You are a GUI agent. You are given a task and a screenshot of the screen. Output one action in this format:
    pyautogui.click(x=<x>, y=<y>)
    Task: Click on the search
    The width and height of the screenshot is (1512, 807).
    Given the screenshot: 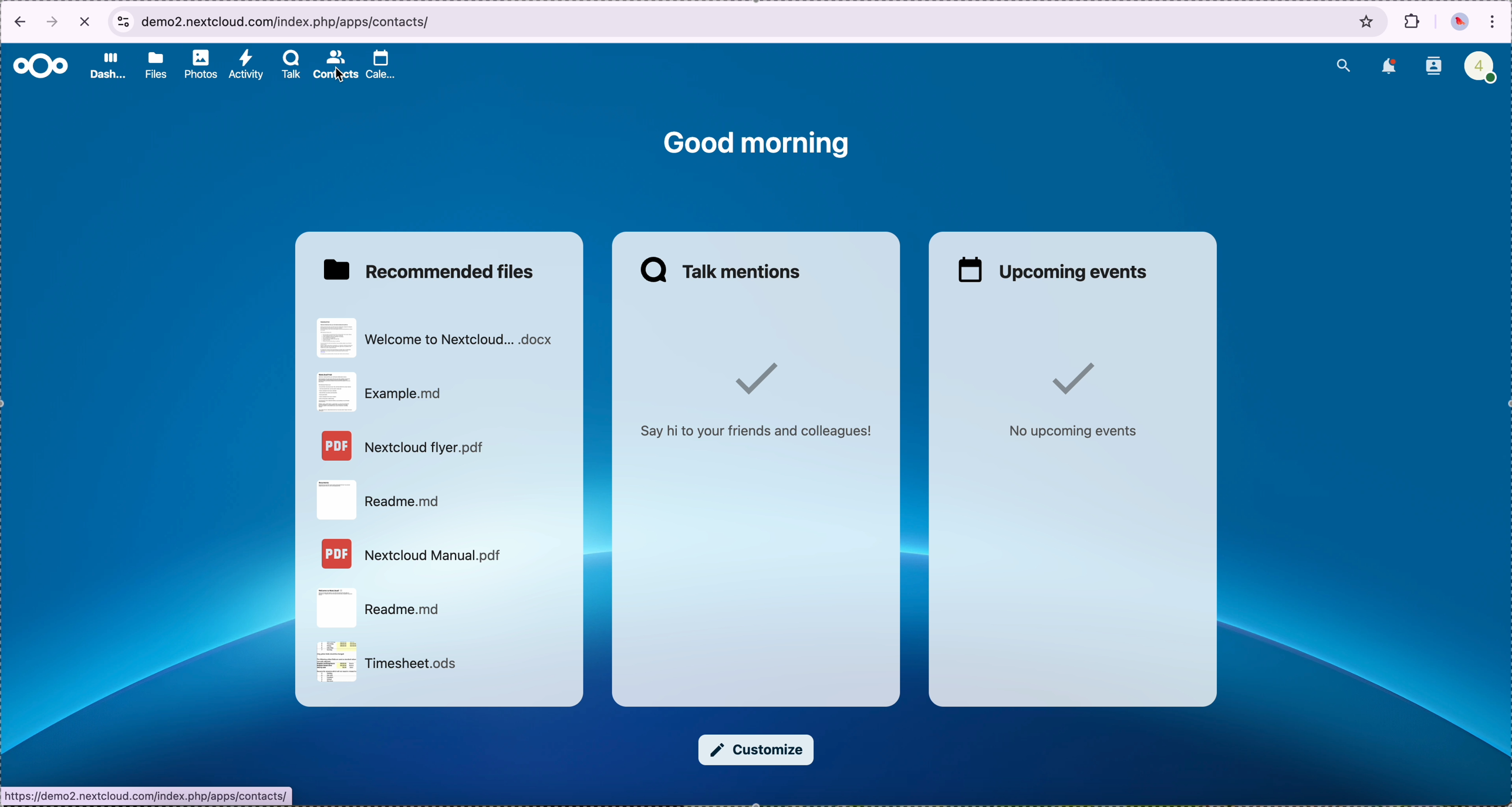 What is the action you would take?
    pyautogui.click(x=1345, y=64)
    